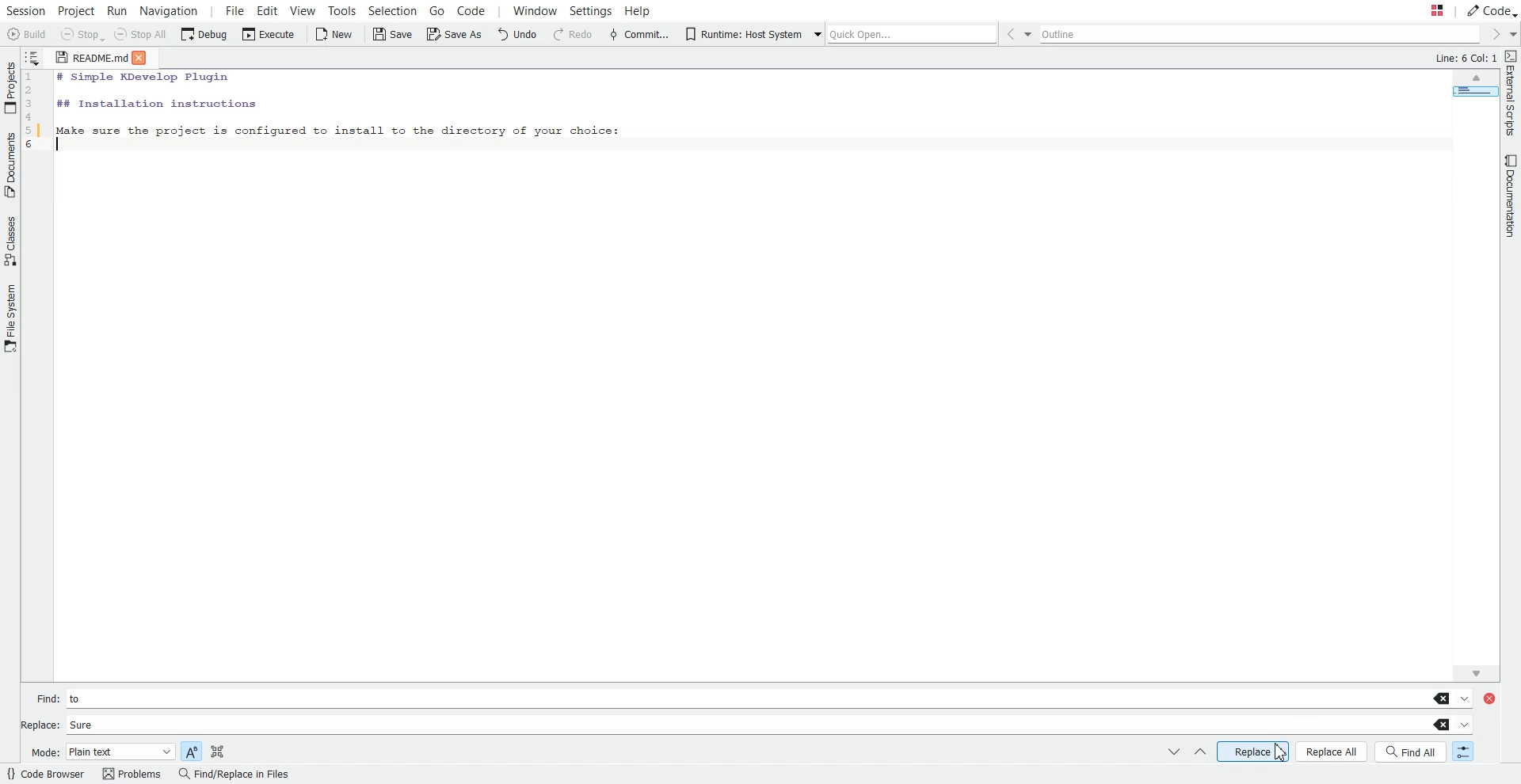 Image resolution: width=1521 pixels, height=784 pixels. What do you see at coordinates (338, 128) in the screenshot?
I see `Make sure the project is configured to install to the directory of your choice:` at bounding box center [338, 128].